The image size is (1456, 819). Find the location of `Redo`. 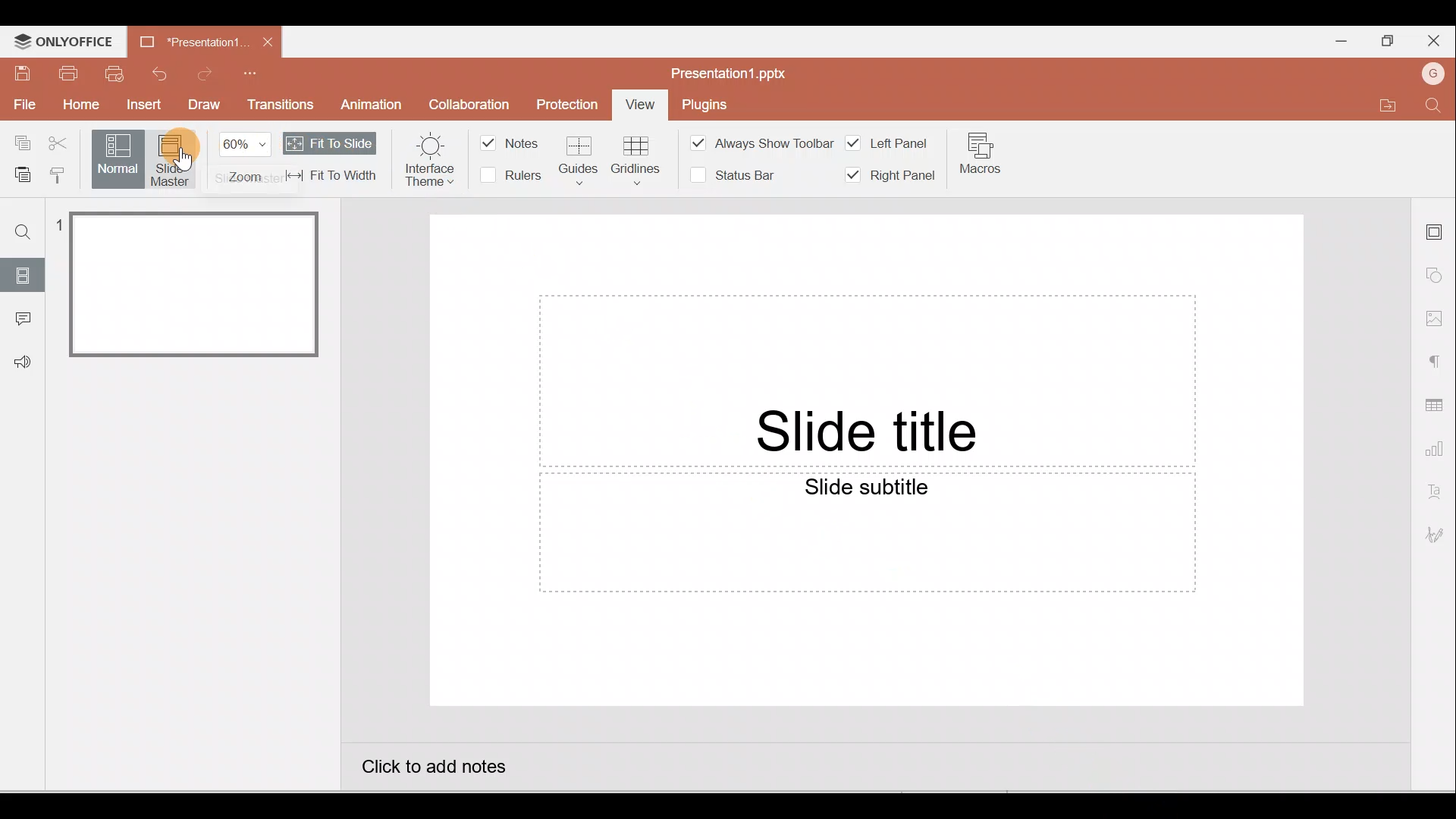

Redo is located at coordinates (209, 73).